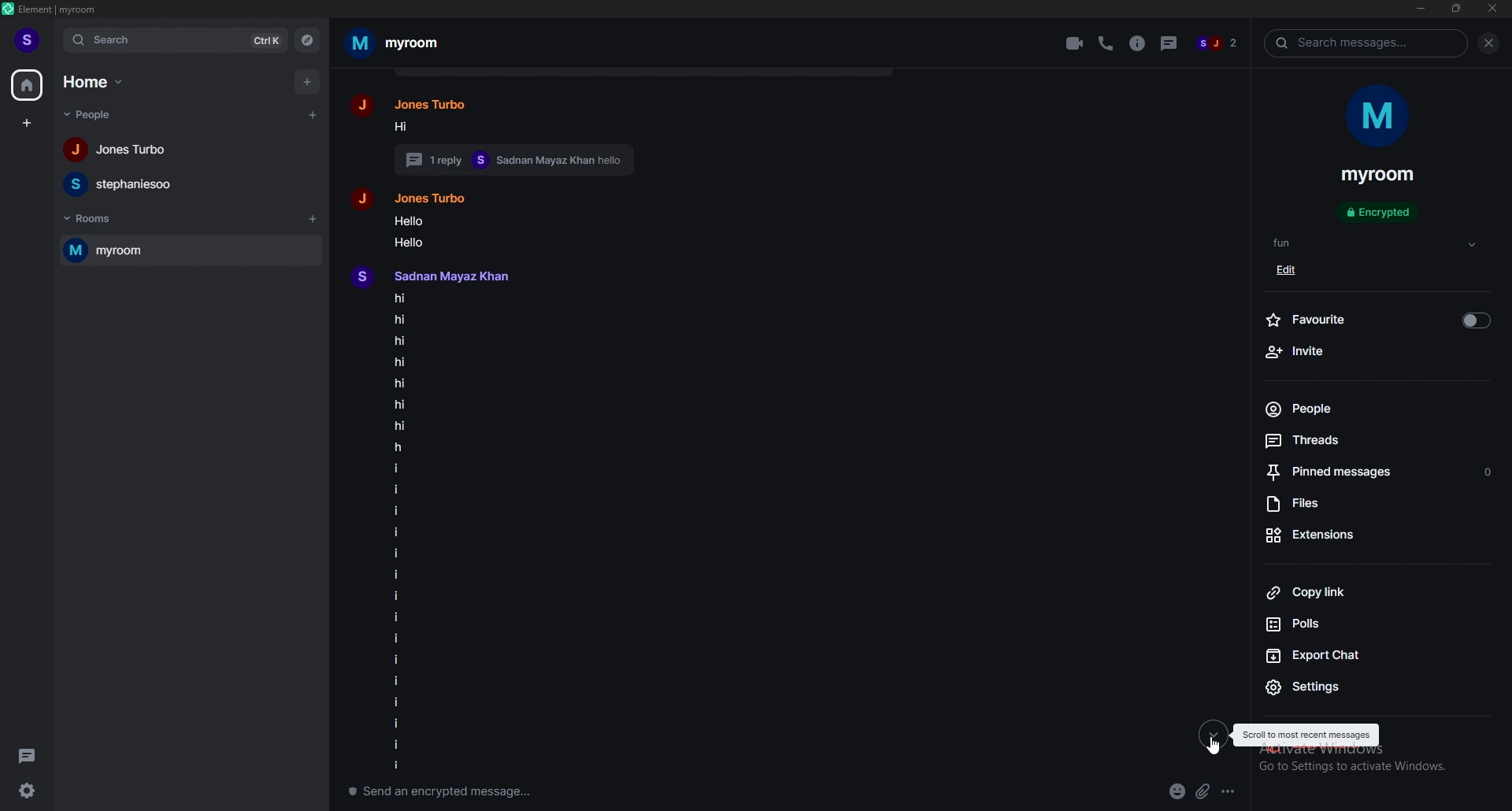 The width and height of the screenshot is (1512, 811). What do you see at coordinates (1456, 8) in the screenshot?
I see `resize` at bounding box center [1456, 8].